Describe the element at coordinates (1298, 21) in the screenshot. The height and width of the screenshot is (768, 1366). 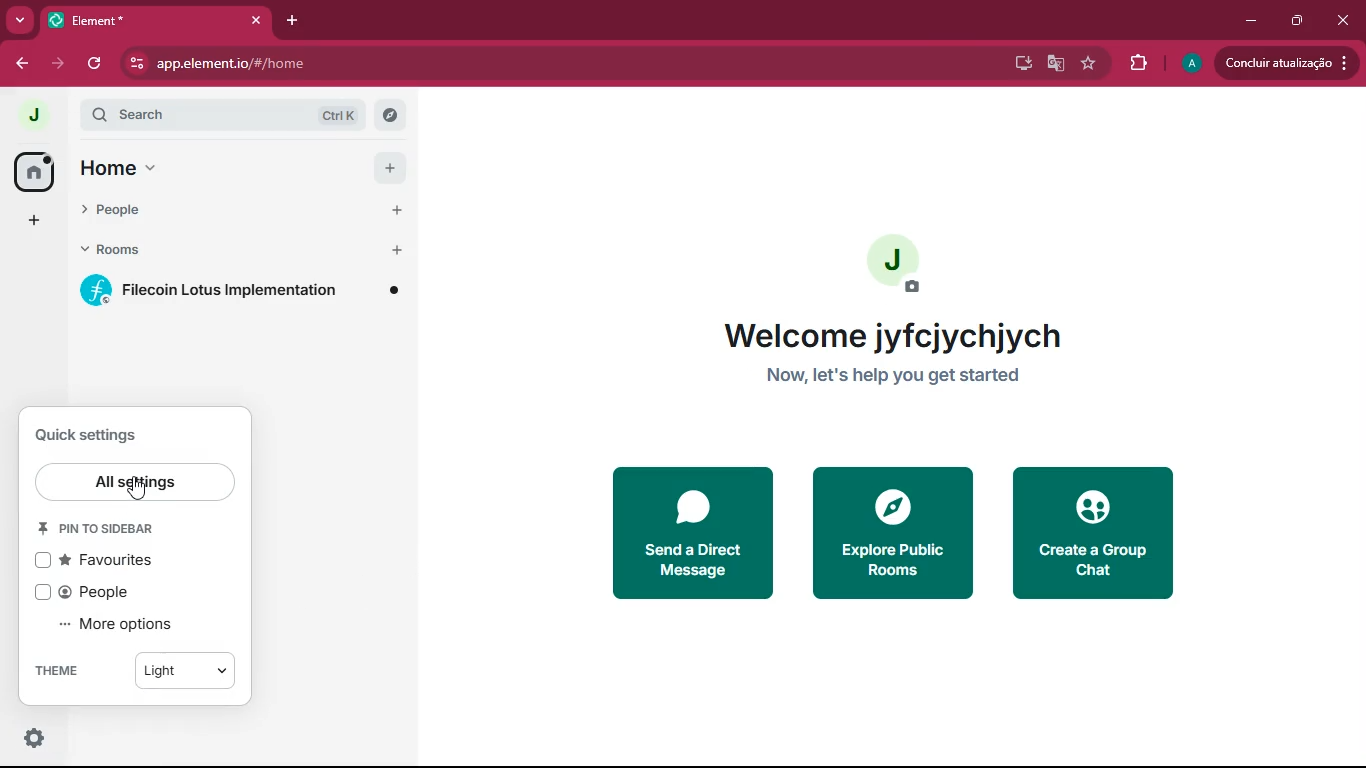
I see `restore down` at that location.